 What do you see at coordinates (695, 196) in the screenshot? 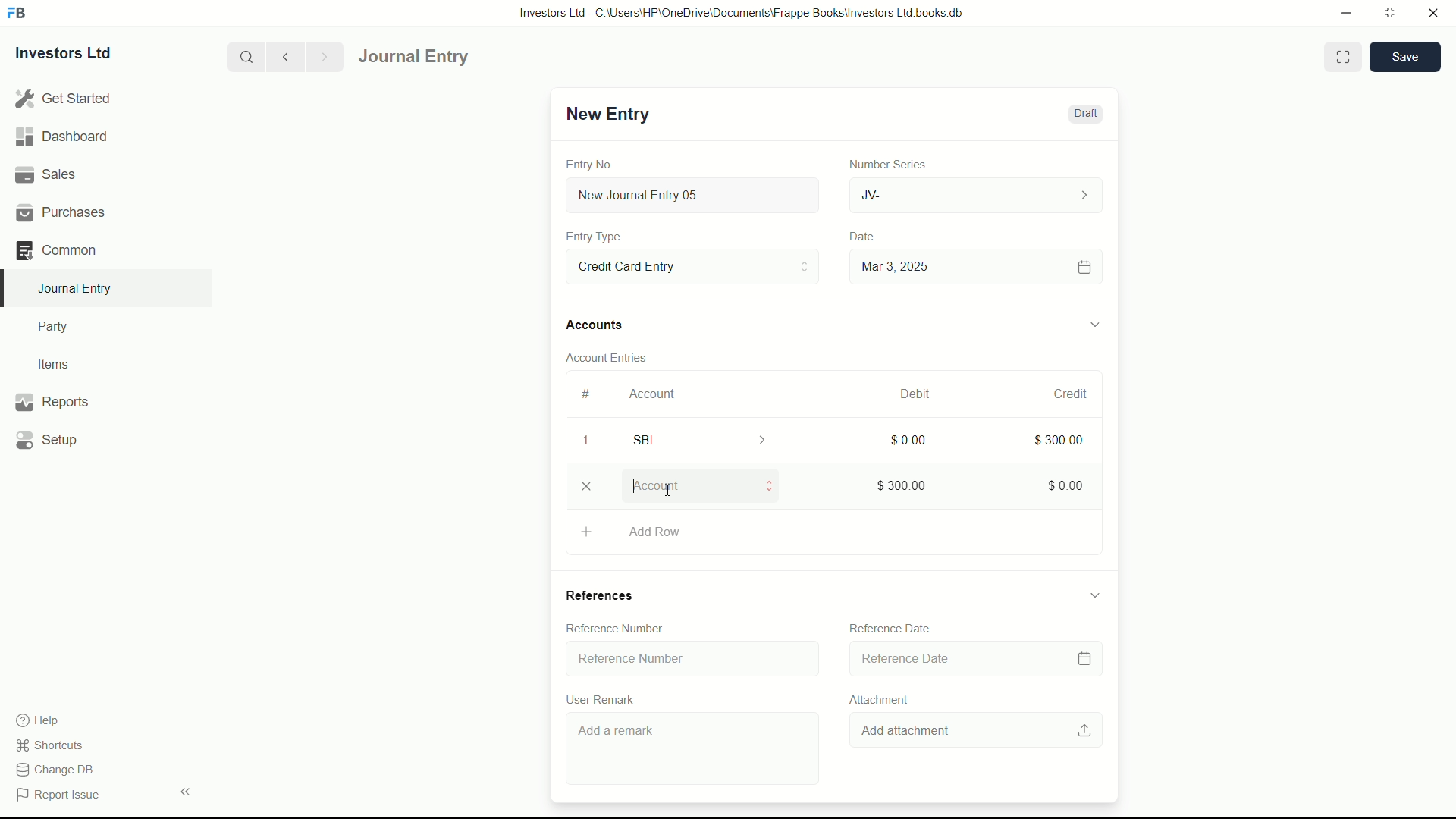
I see `New Journal Entry 05` at bounding box center [695, 196].